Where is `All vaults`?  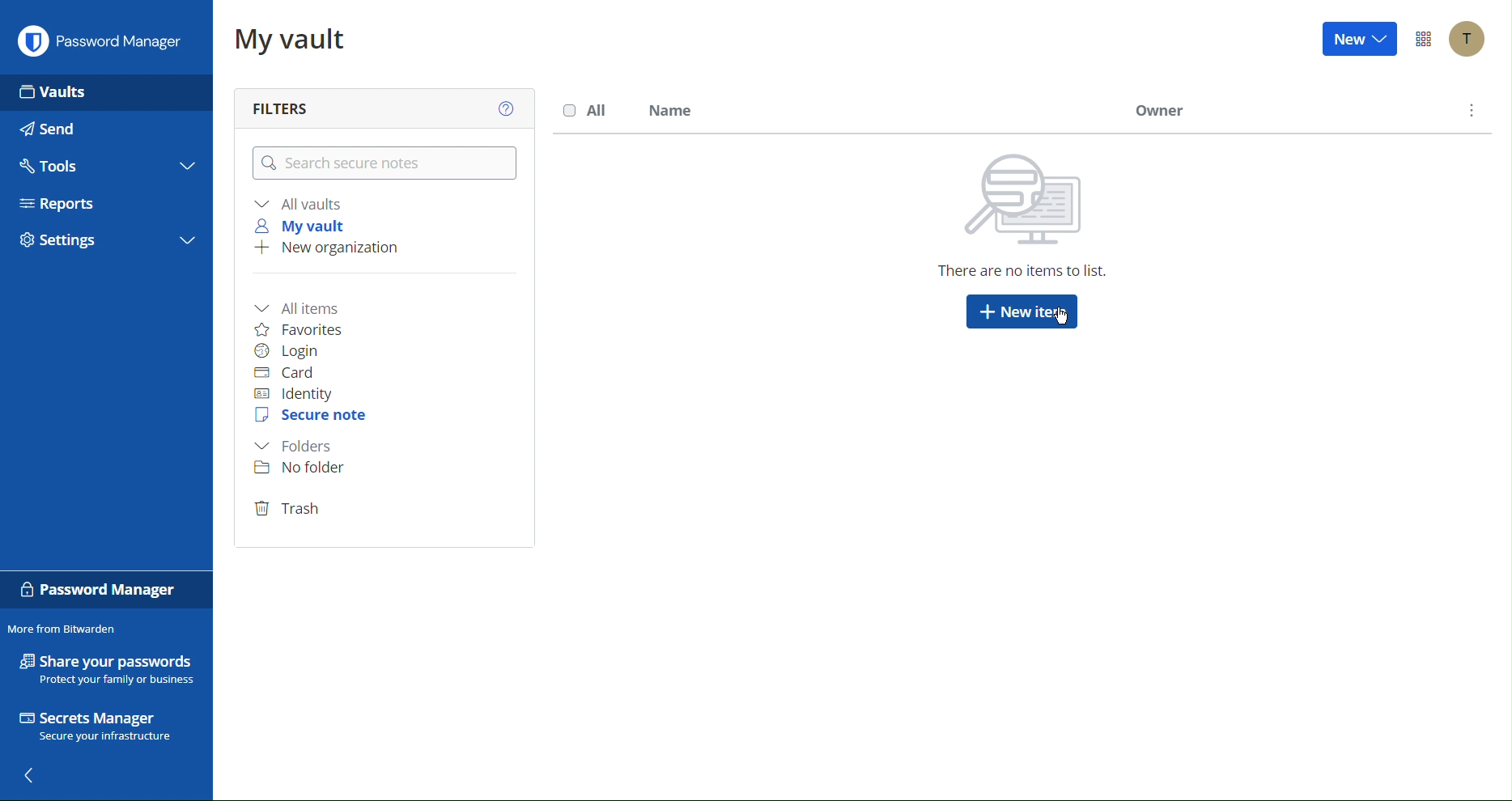 All vaults is located at coordinates (299, 203).